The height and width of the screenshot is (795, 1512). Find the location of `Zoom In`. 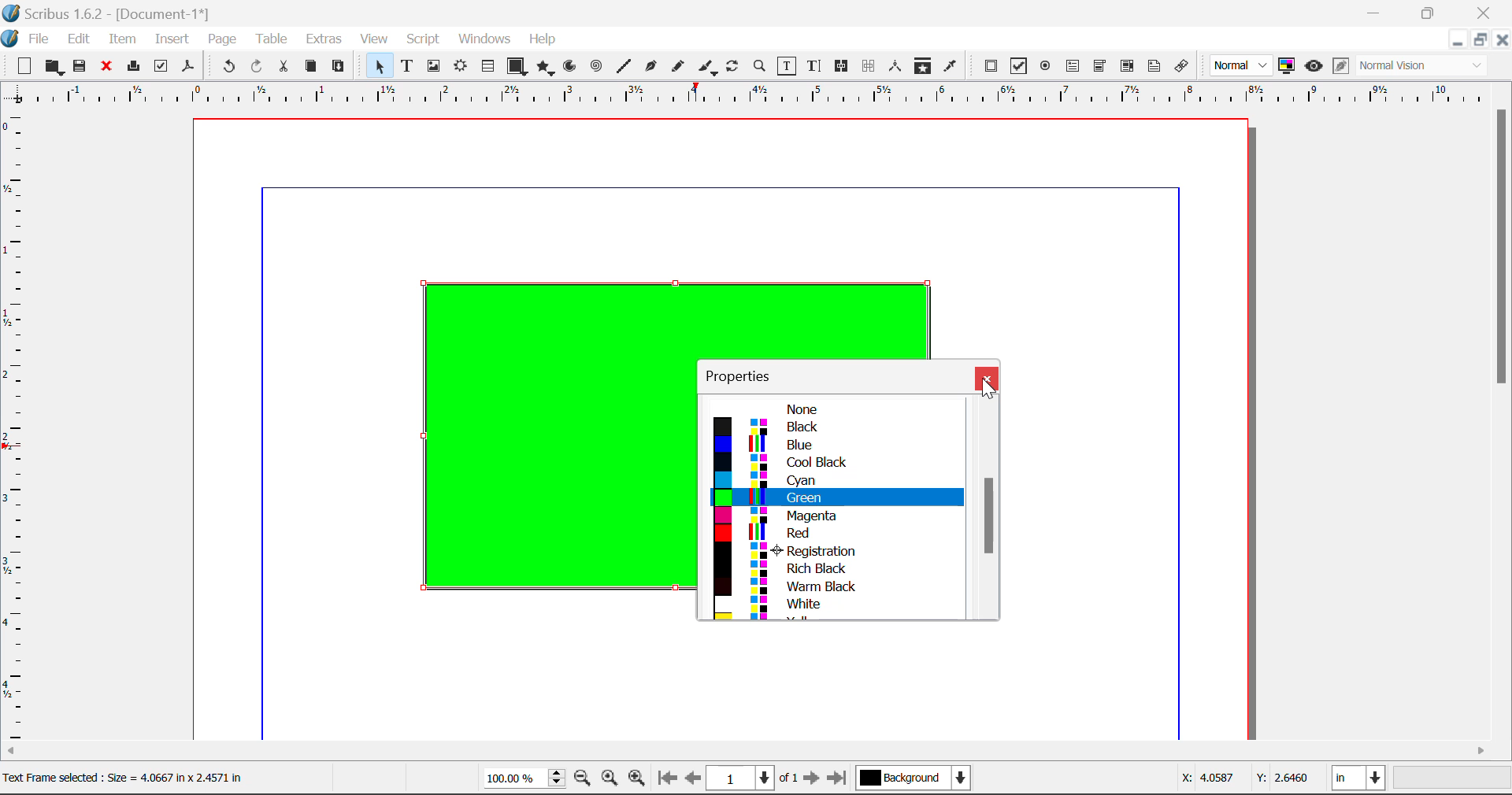

Zoom In is located at coordinates (637, 780).